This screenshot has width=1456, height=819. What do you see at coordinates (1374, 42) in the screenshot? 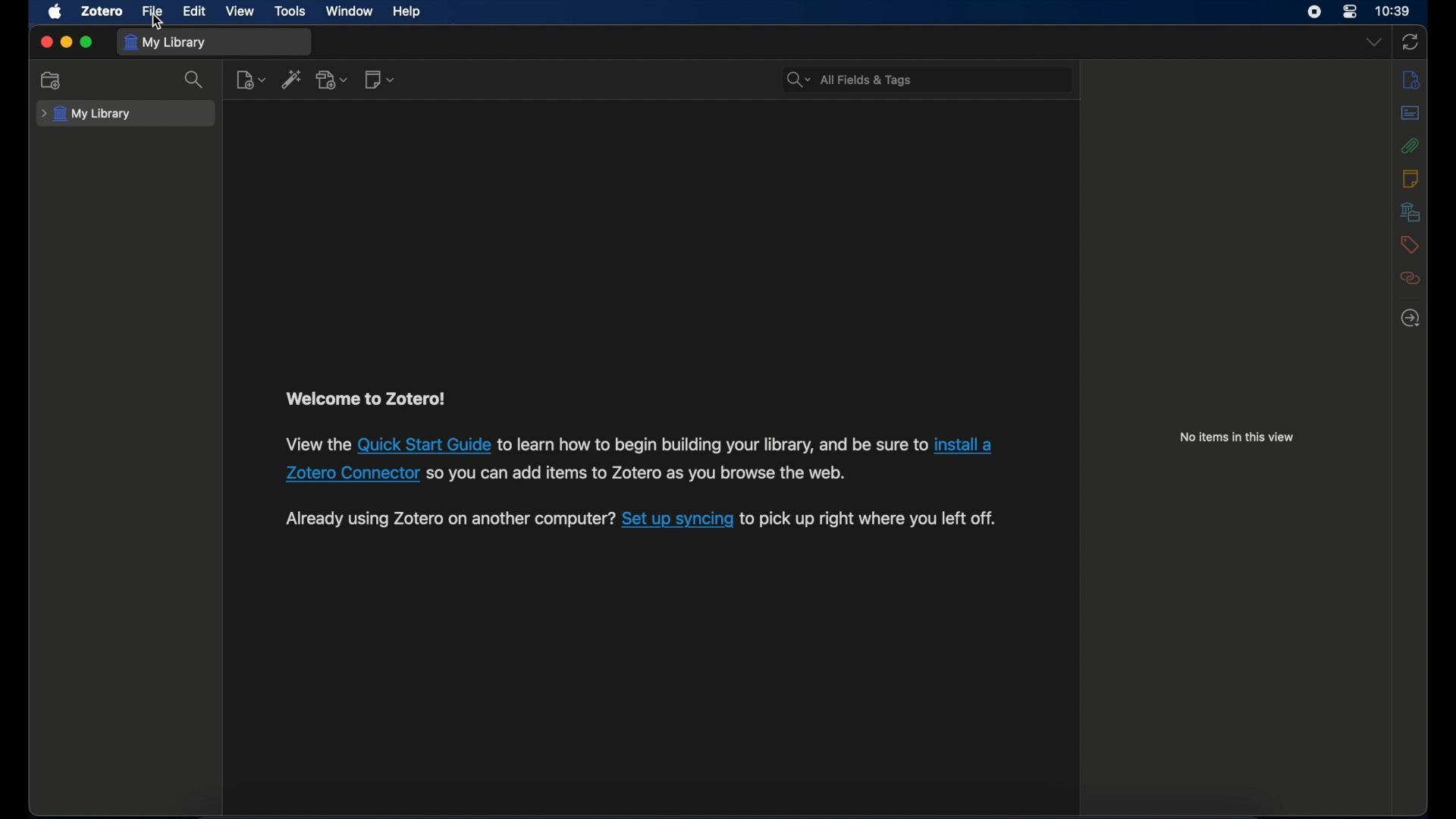
I see `dropdown` at bounding box center [1374, 42].